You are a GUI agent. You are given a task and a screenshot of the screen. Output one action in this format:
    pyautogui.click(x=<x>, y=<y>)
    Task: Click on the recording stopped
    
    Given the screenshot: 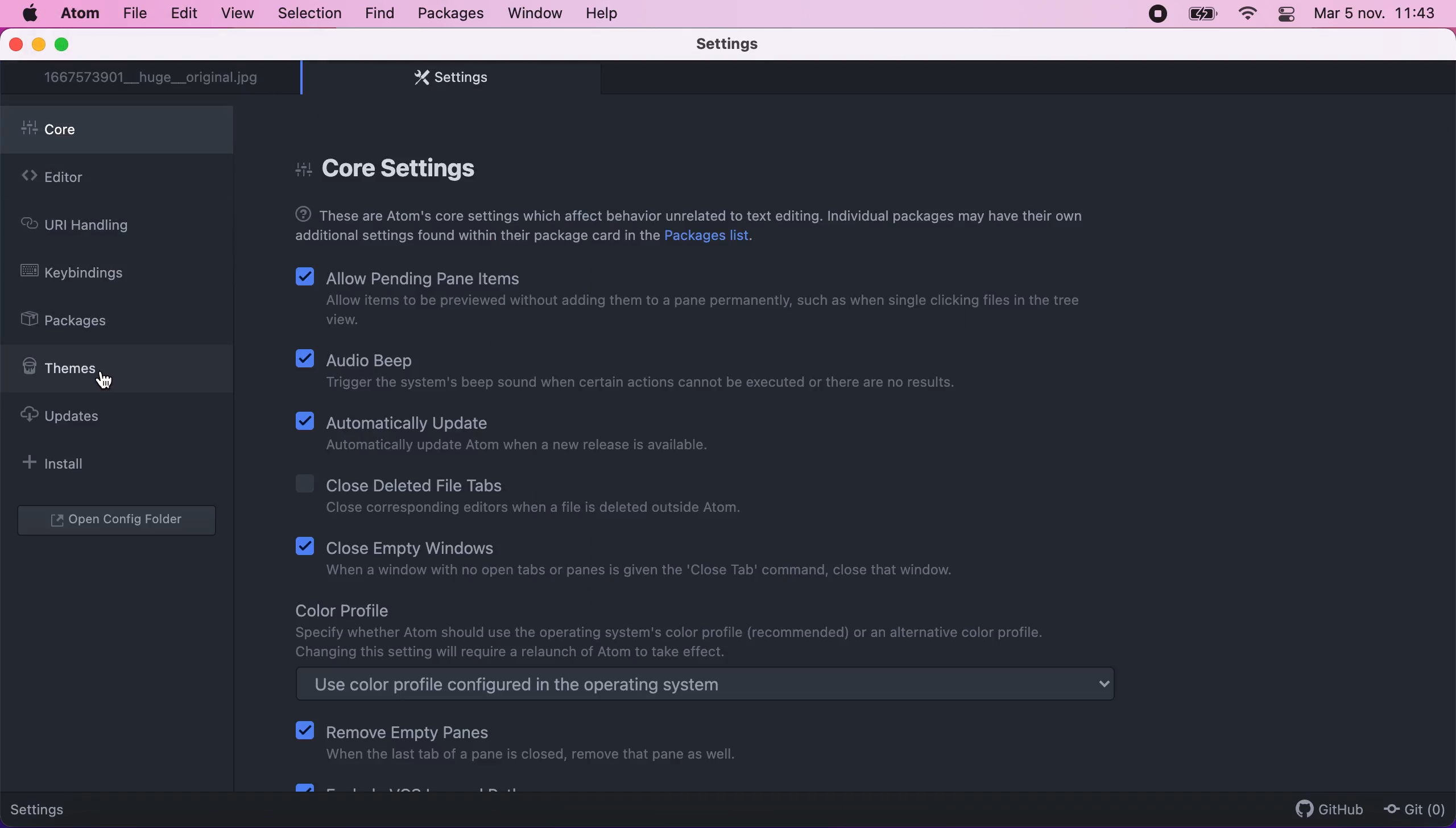 What is the action you would take?
    pyautogui.click(x=1155, y=14)
    